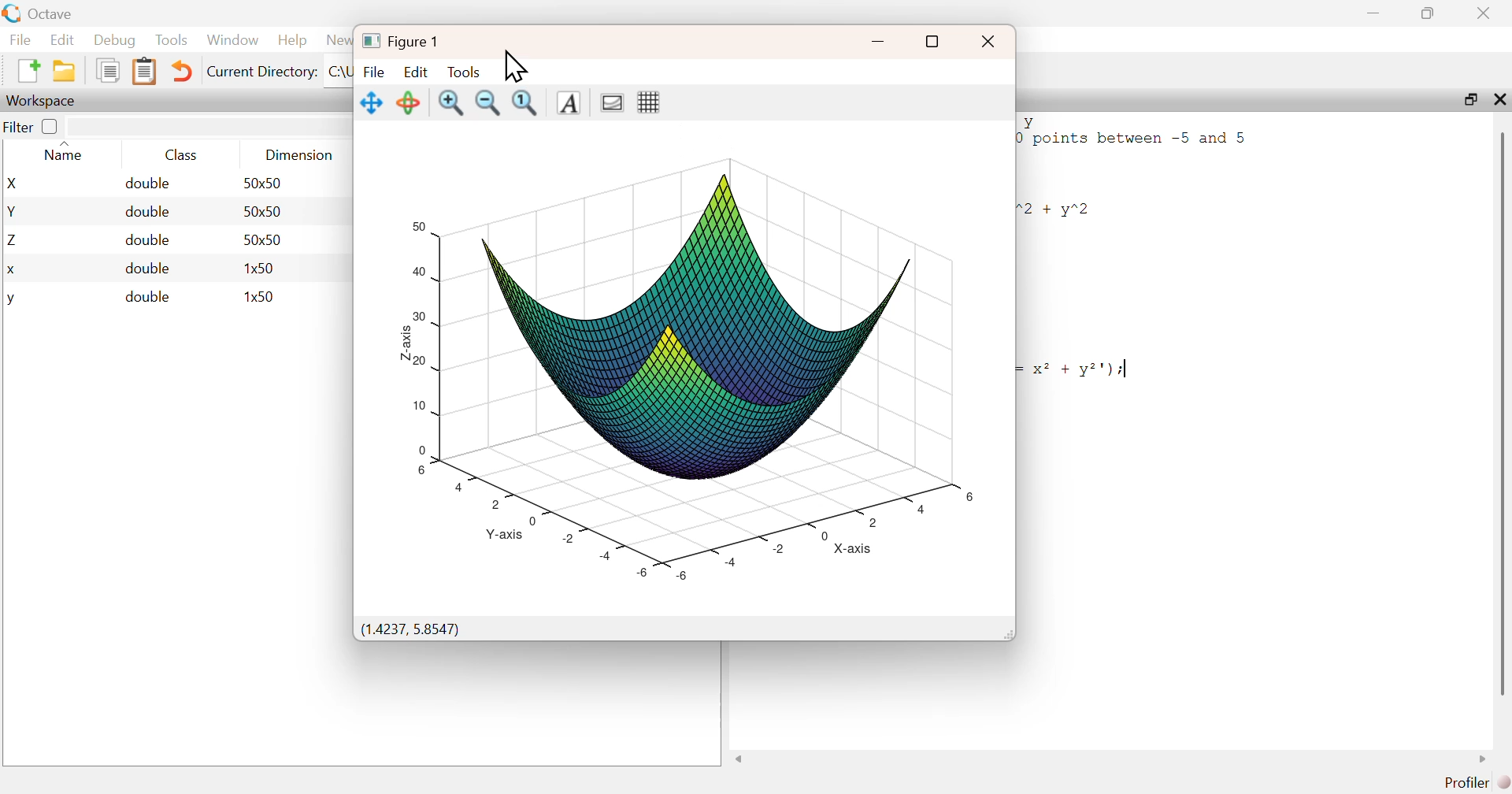 The image size is (1512, 794). What do you see at coordinates (20, 39) in the screenshot?
I see `File` at bounding box center [20, 39].